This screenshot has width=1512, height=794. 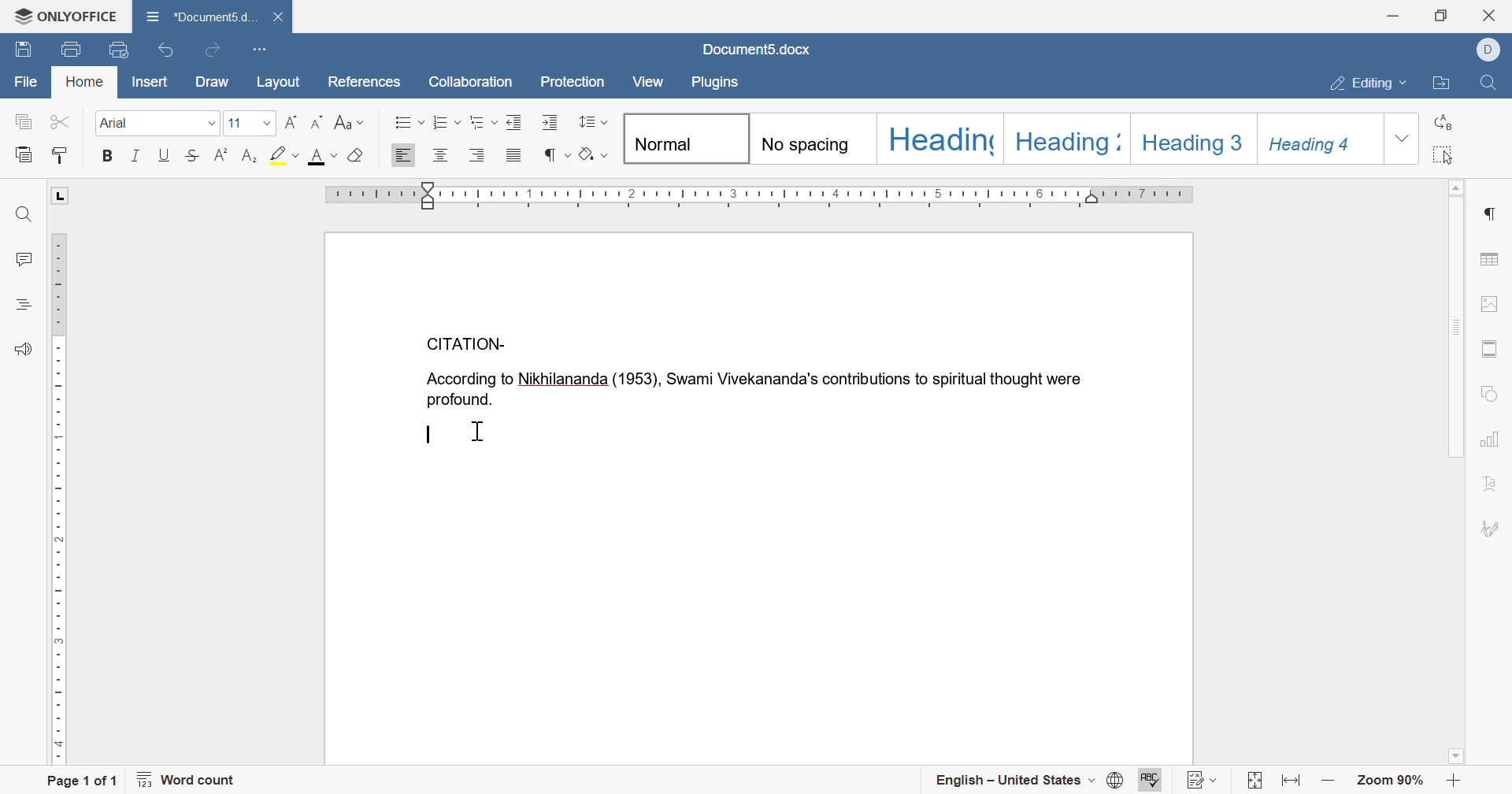 I want to click on Normal, so click(x=685, y=139).